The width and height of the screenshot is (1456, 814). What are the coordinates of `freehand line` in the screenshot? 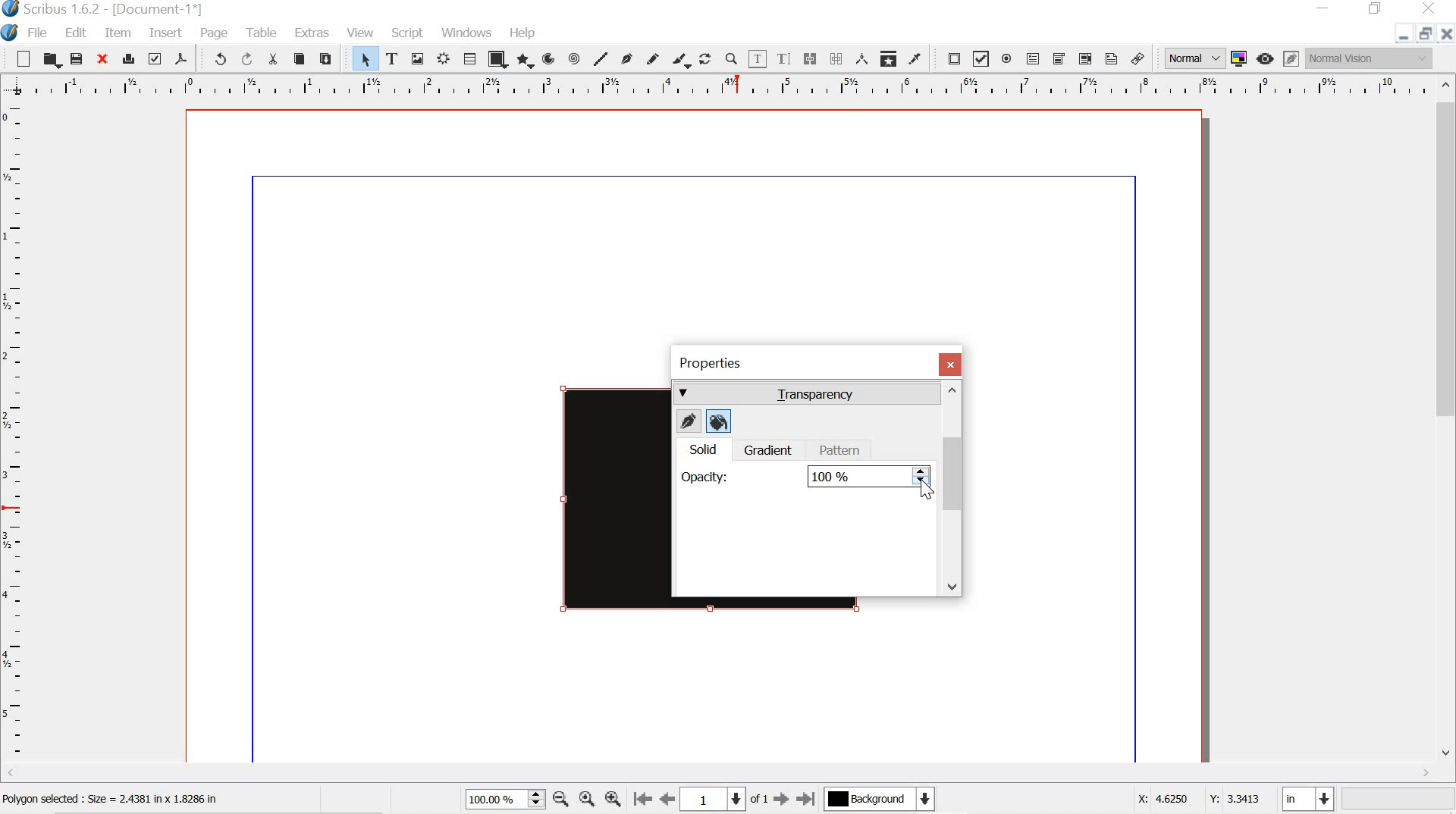 It's located at (653, 59).